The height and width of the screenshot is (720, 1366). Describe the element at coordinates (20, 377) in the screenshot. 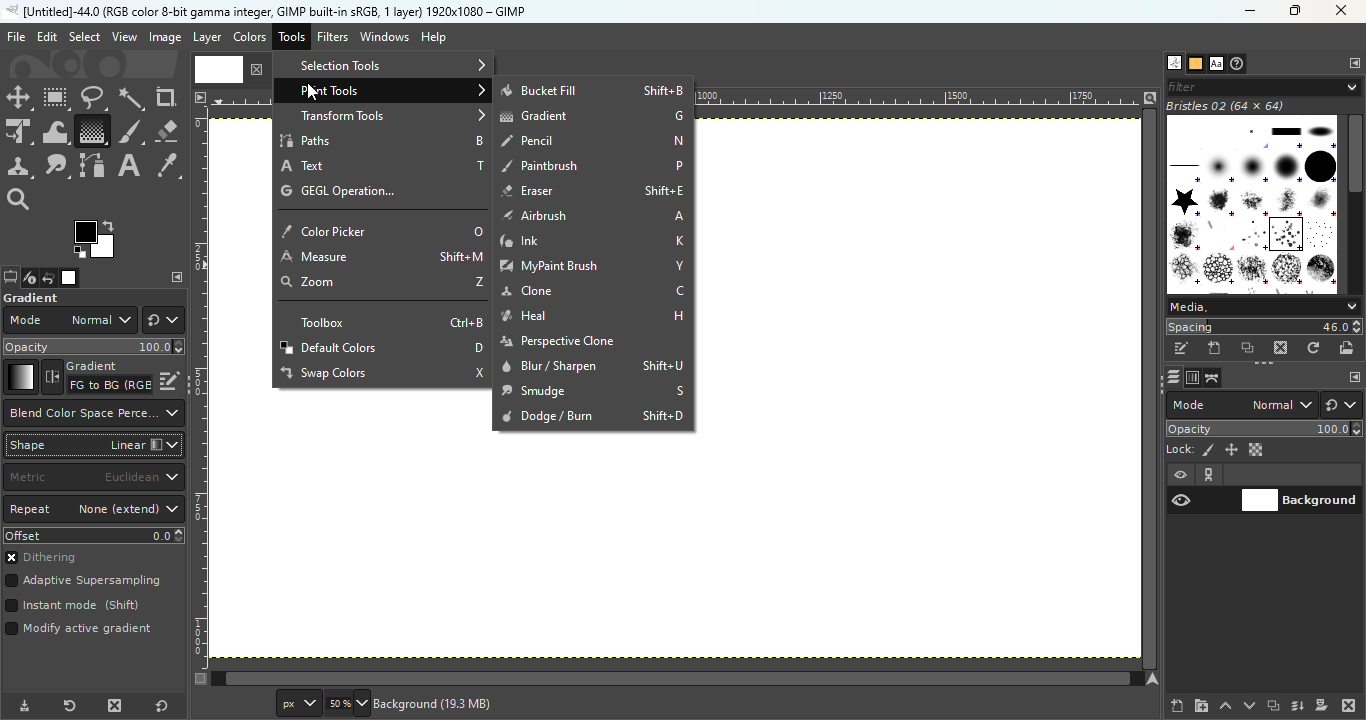

I see `Gradient` at that location.